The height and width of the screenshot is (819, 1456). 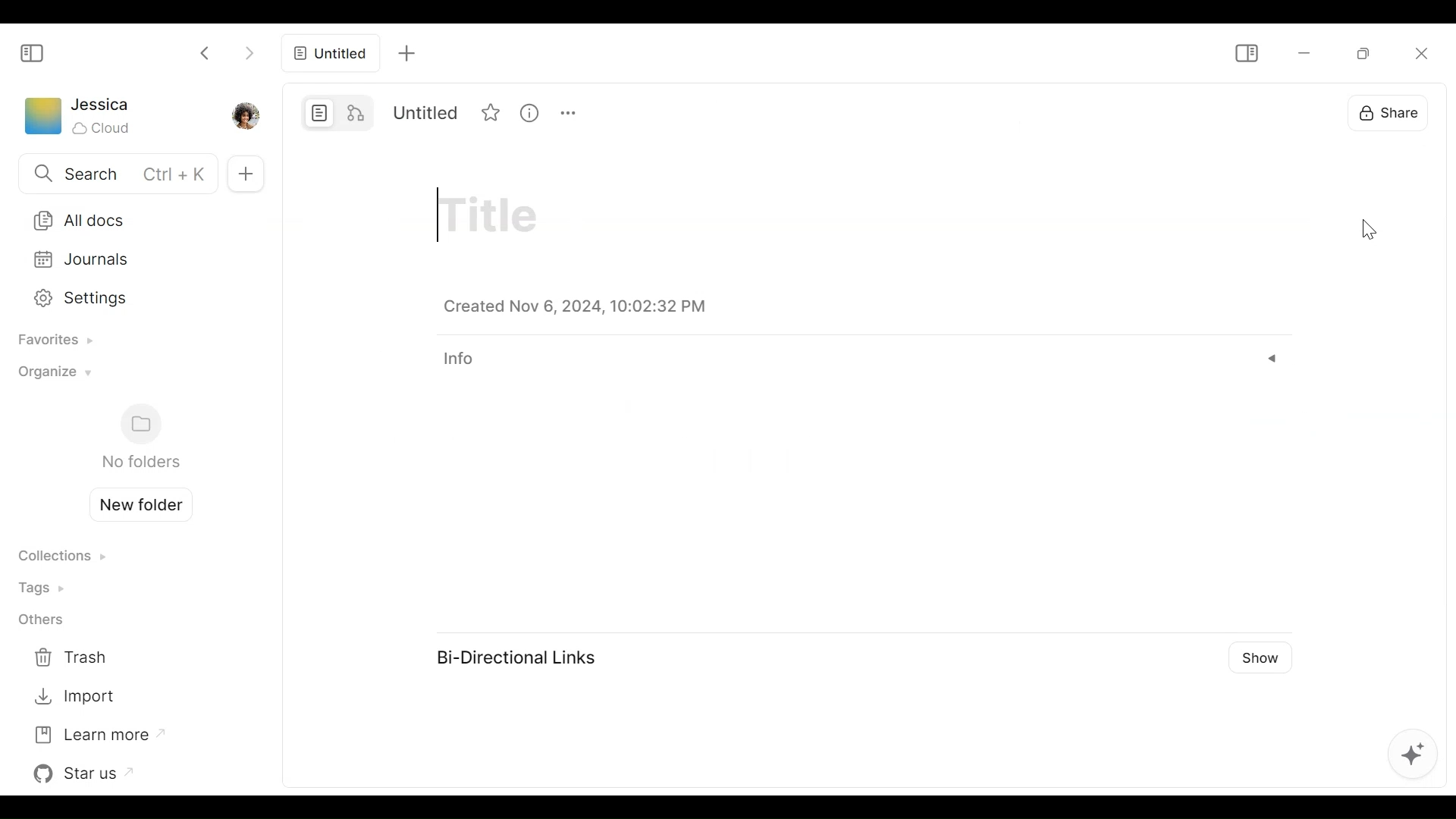 What do you see at coordinates (861, 361) in the screenshot?
I see `View Information` at bounding box center [861, 361].